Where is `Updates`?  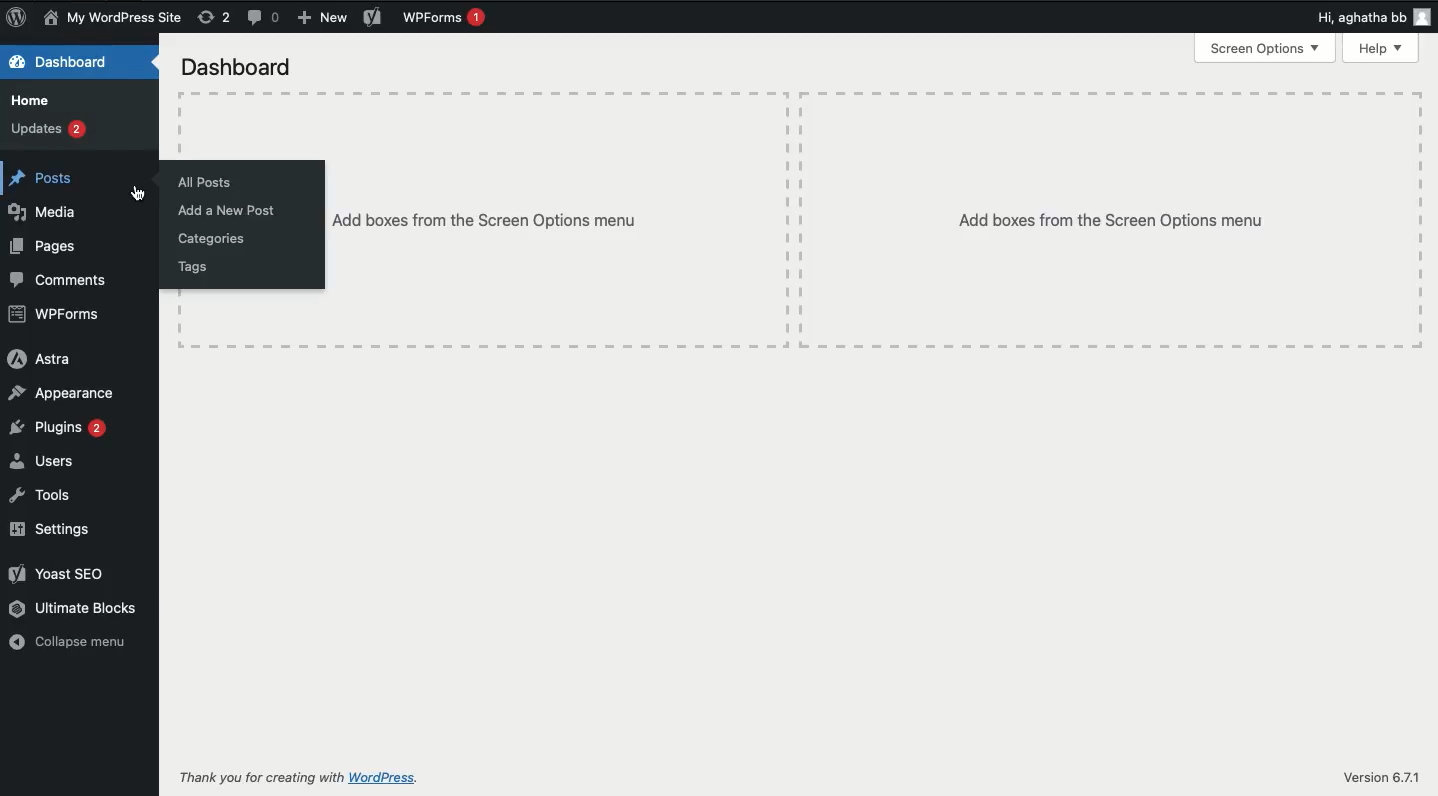 Updates is located at coordinates (51, 128).